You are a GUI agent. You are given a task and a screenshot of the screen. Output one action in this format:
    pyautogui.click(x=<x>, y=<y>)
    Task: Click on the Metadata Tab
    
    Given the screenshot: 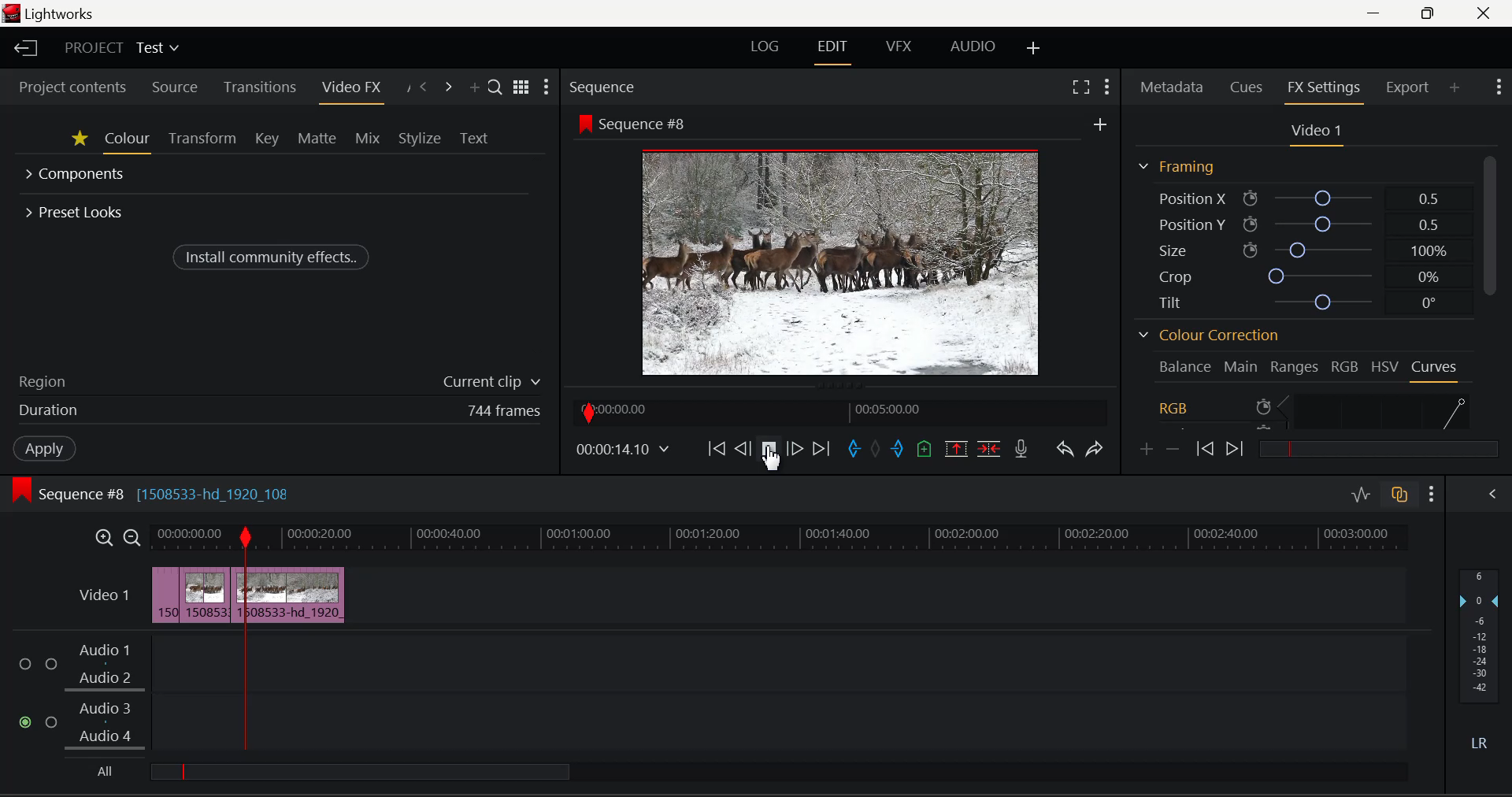 What is the action you would take?
    pyautogui.click(x=1171, y=89)
    